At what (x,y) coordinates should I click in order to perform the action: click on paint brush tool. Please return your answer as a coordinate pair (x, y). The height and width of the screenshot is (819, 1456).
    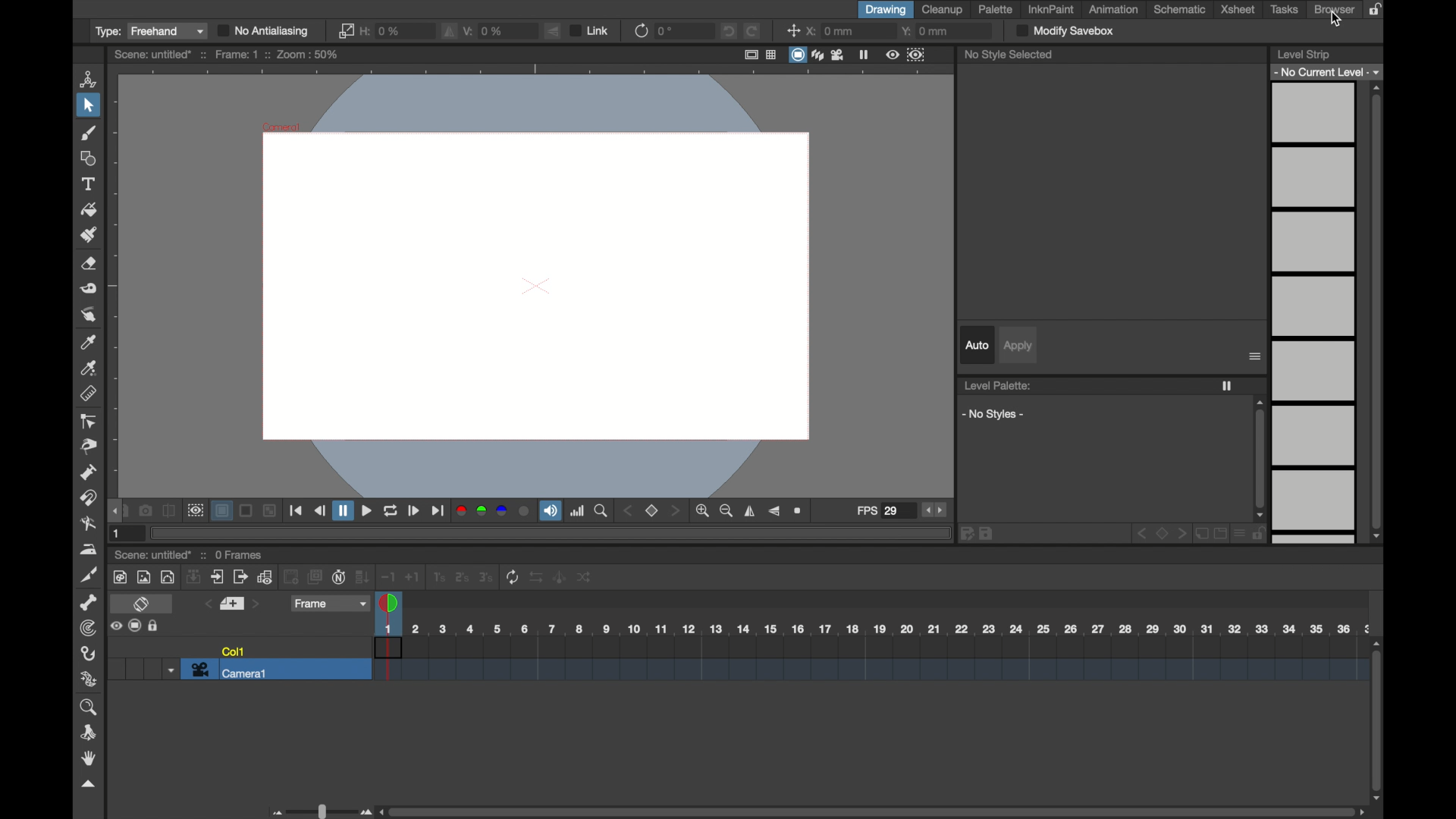
    Looking at the image, I should click on (89, 133).